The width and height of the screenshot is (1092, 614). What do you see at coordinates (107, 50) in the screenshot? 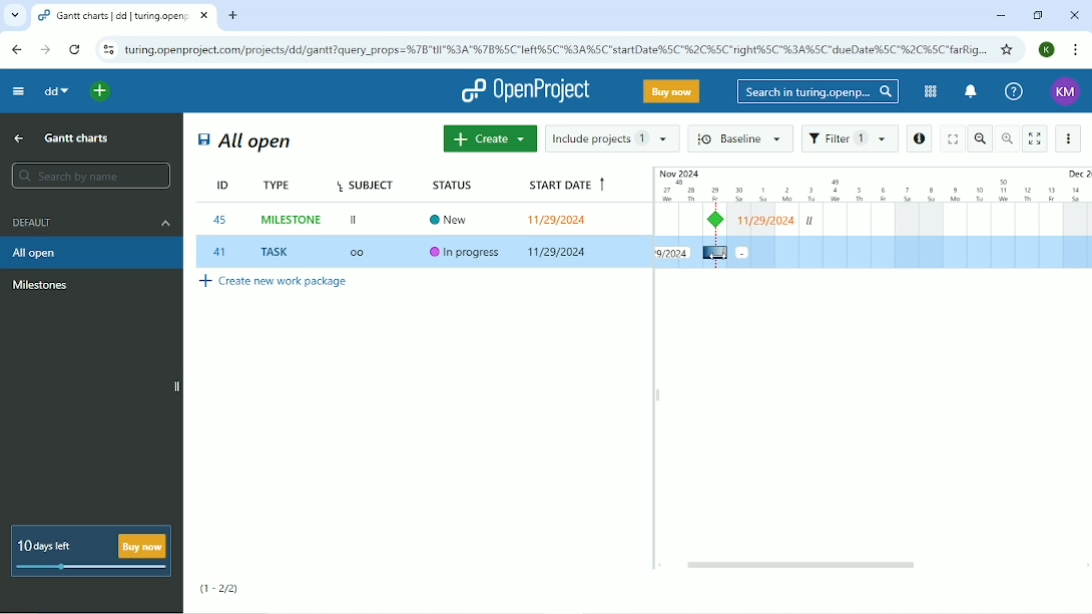
I see `View site information` at bounding box center [107, 50].